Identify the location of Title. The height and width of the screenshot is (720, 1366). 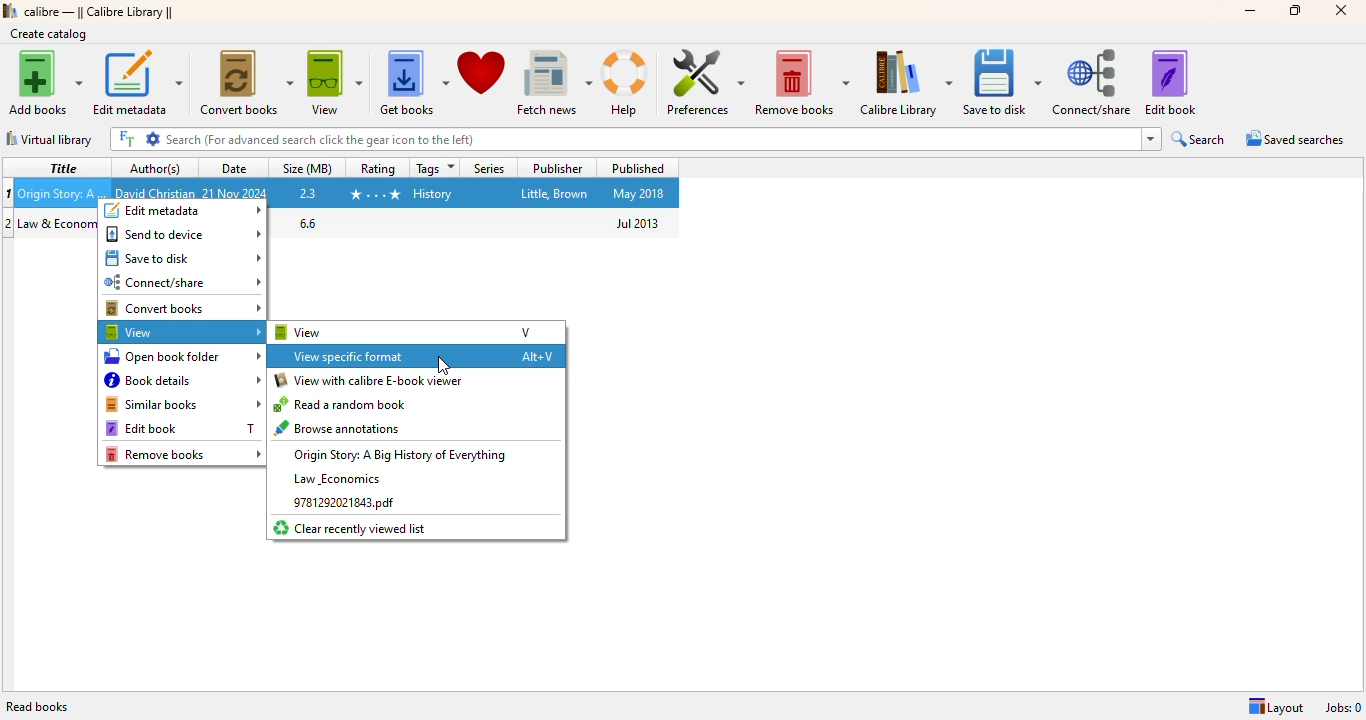
(63, 191).